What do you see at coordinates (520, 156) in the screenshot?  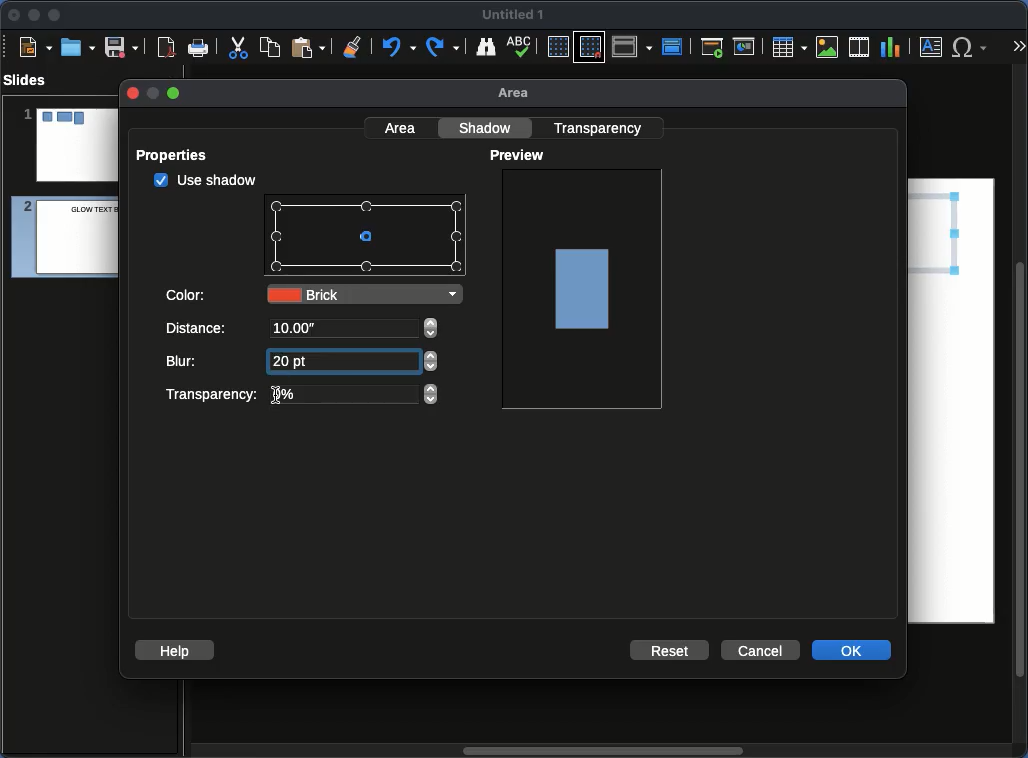 I see `Preview` at bounding box center [520, 156].